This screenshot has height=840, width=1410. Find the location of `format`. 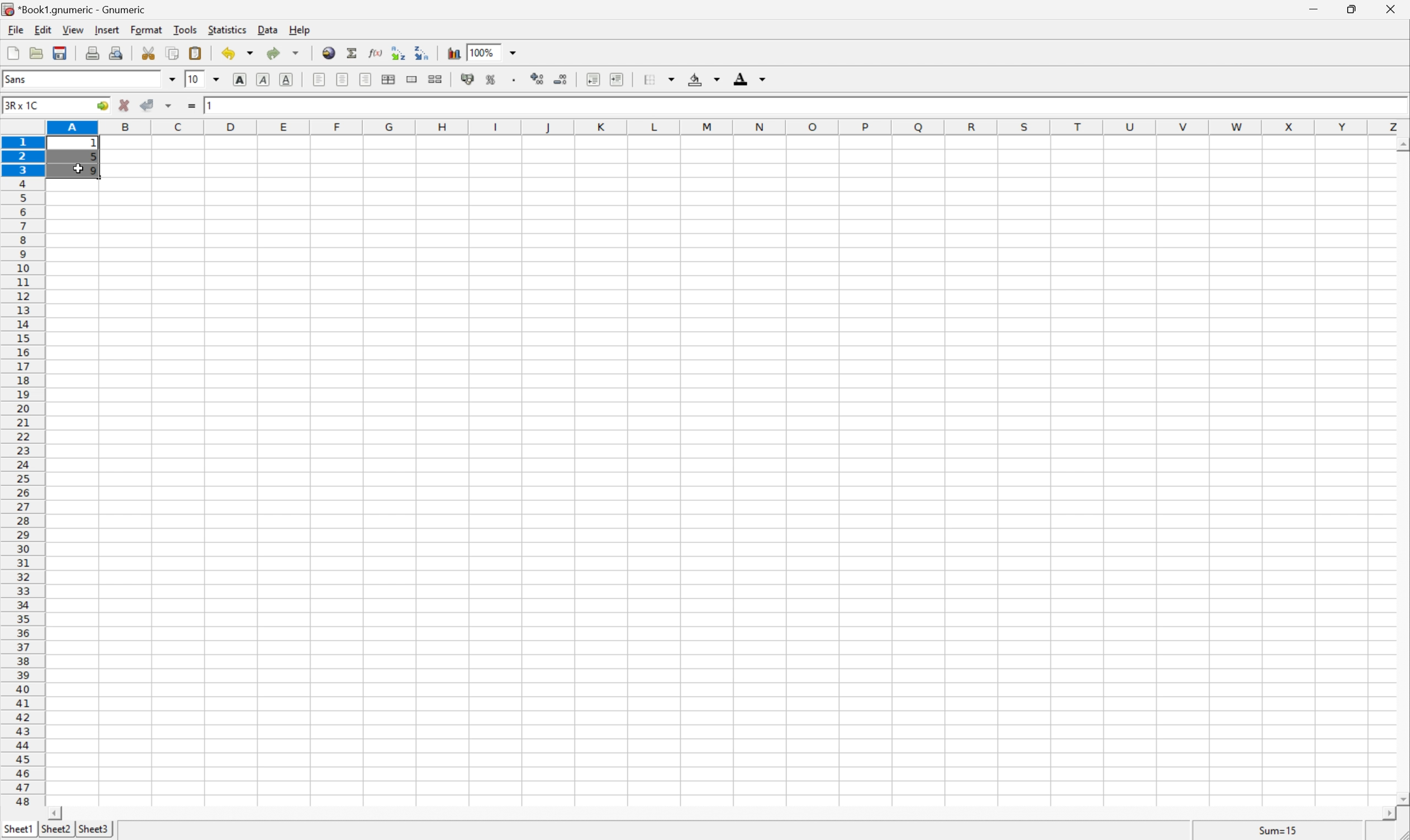

format is located at coordinates (148, 29).